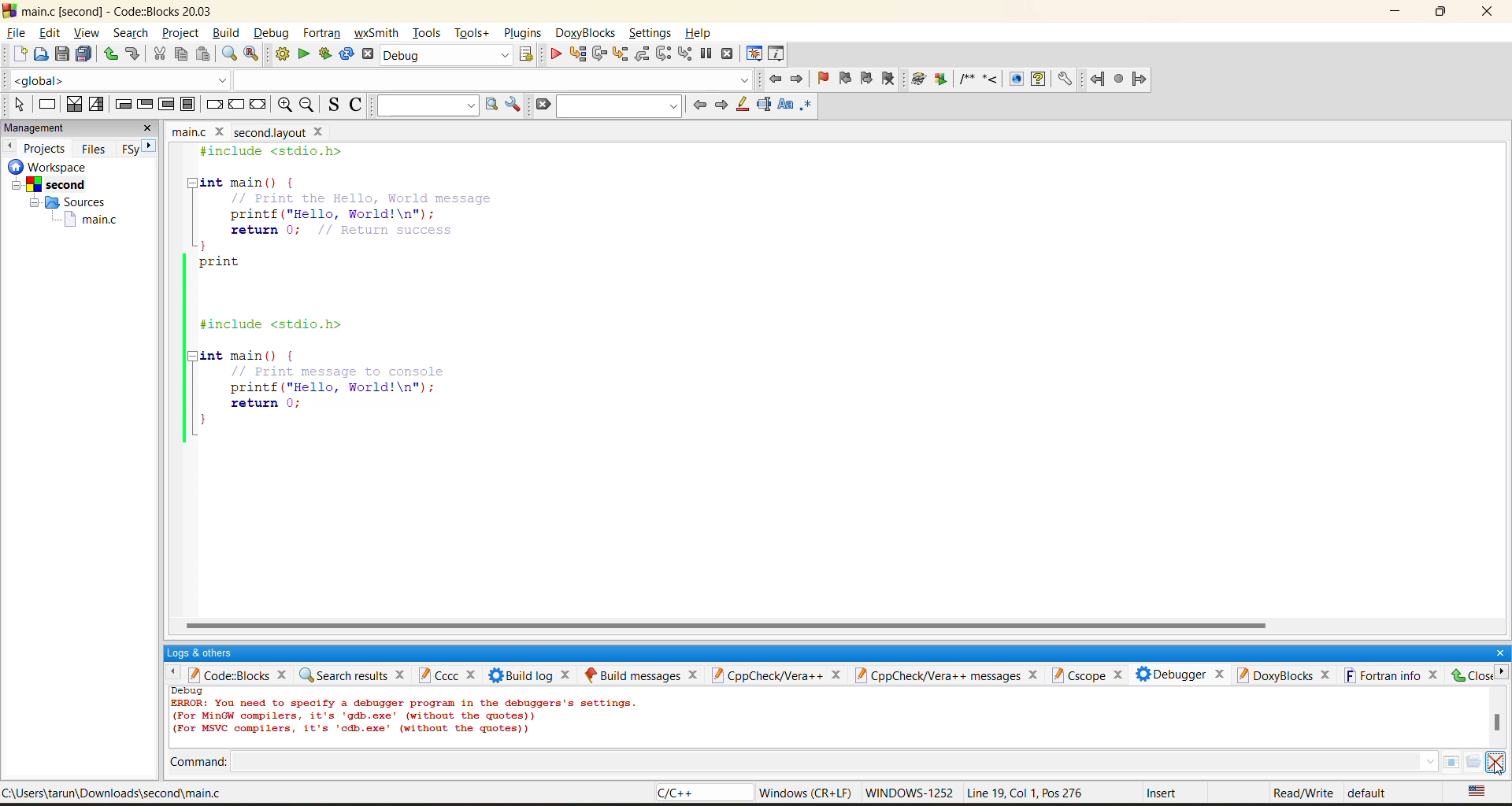  I want to click on next bookmark, so click(868, 79).